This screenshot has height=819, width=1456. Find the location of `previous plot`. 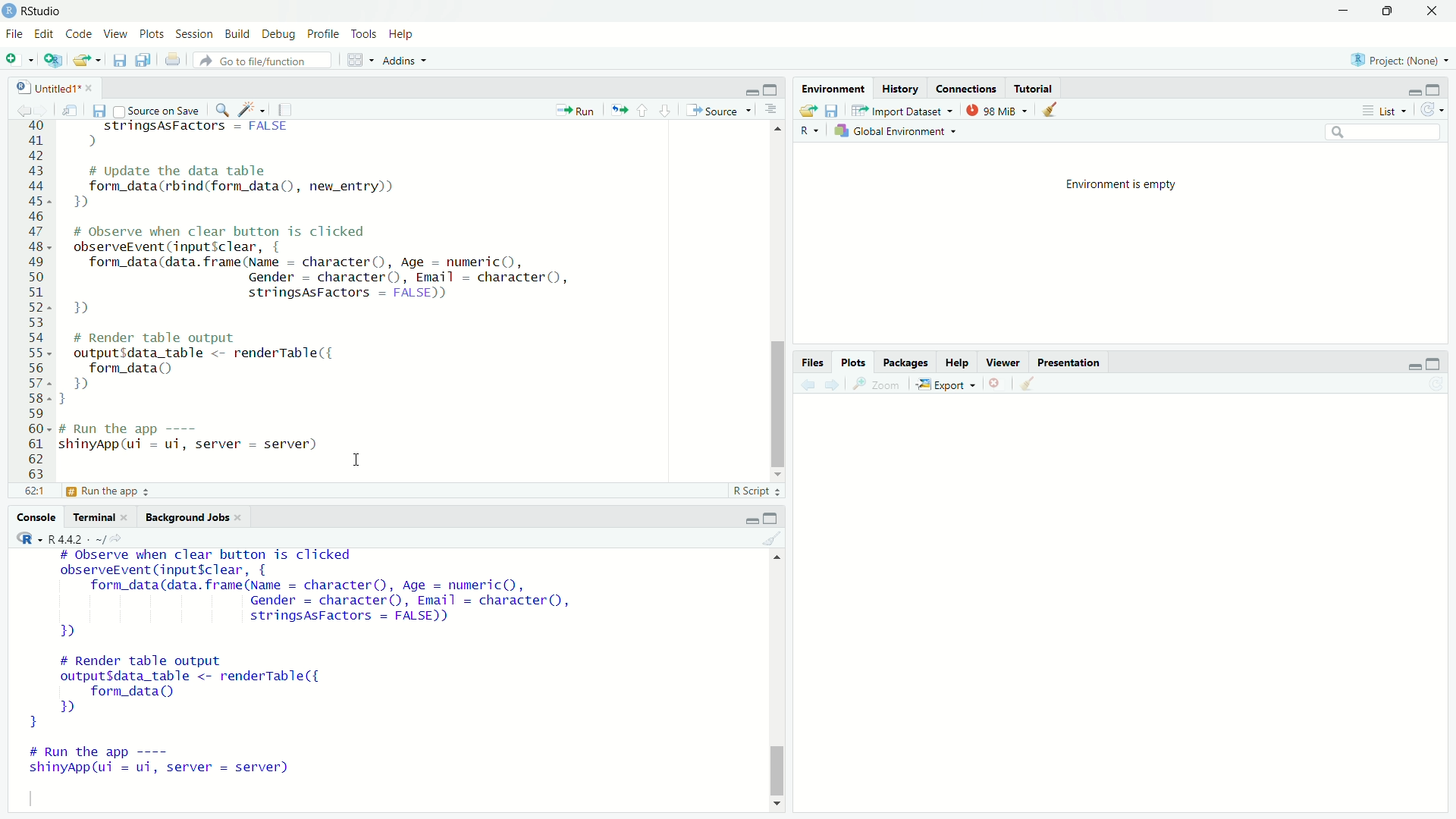

previous plot is located at coordinates (805, 384).